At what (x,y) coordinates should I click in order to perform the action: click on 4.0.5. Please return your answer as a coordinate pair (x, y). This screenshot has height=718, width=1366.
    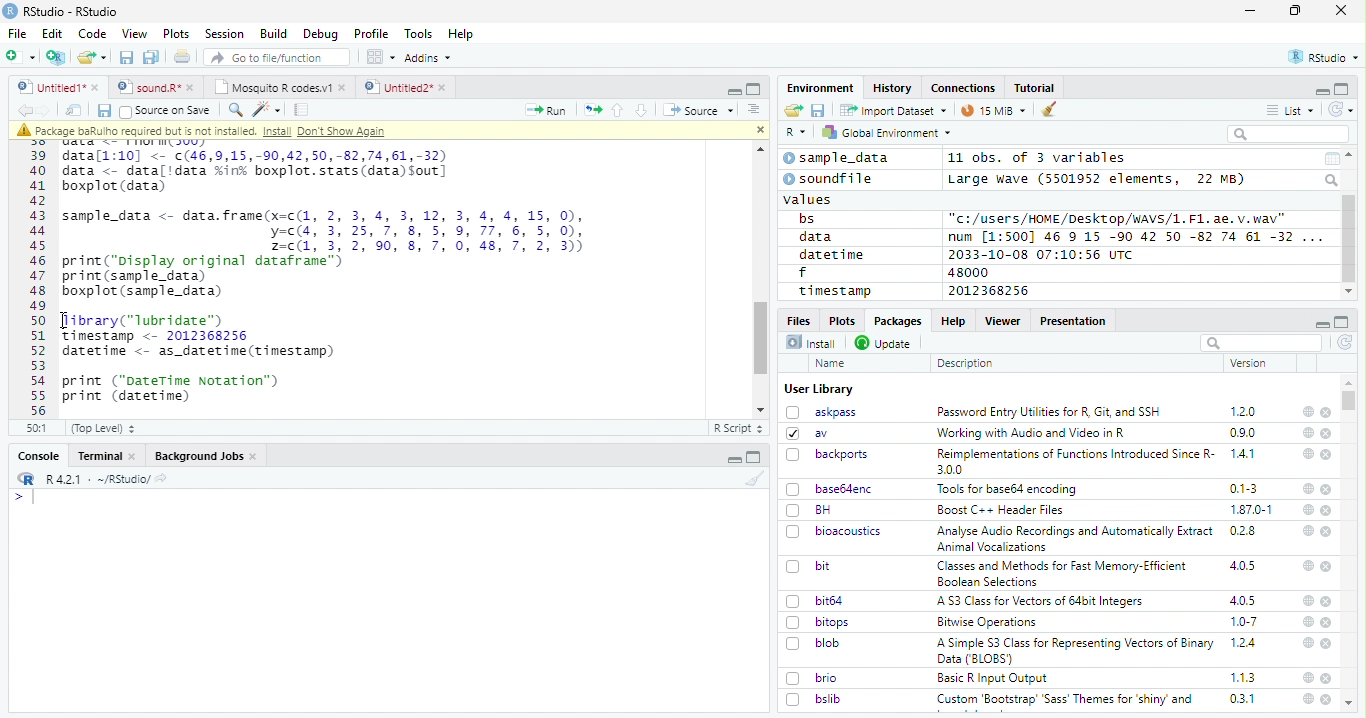
    Looking at the image, I should click on (1242, 566).